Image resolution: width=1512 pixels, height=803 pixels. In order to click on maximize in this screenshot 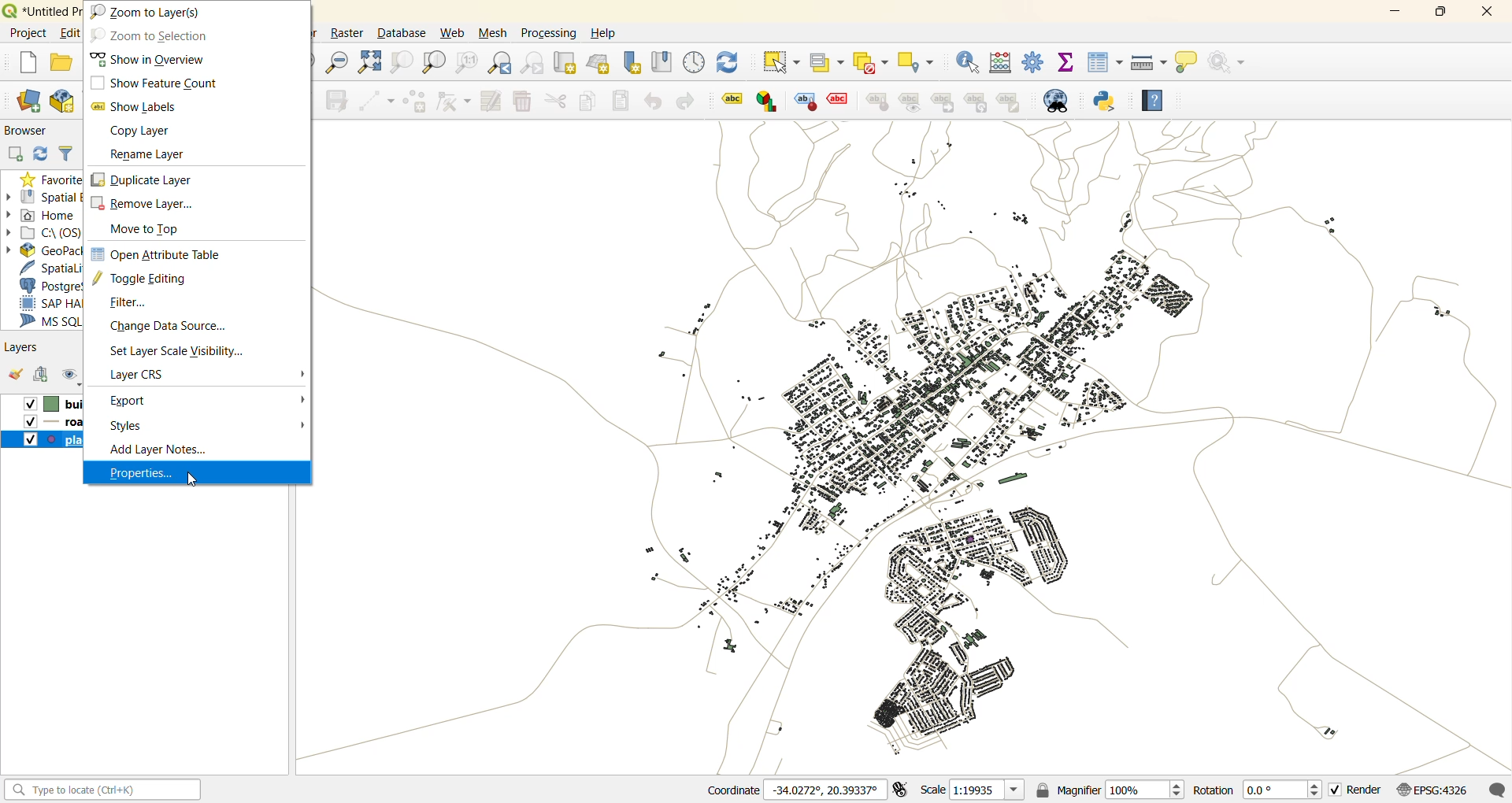, I will do `click(1440, 13)`.